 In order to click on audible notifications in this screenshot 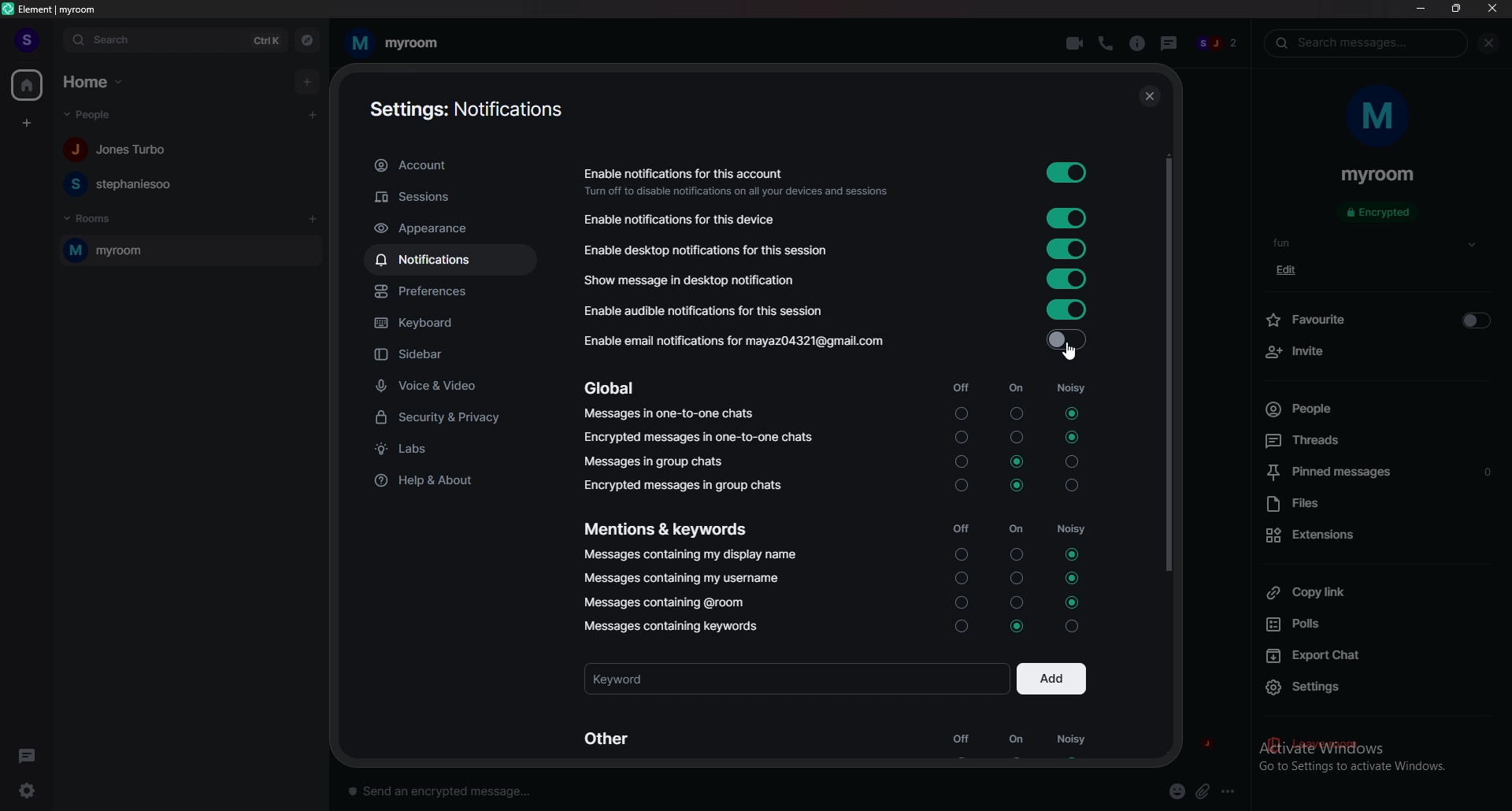, I will do `click(837, 310)`.